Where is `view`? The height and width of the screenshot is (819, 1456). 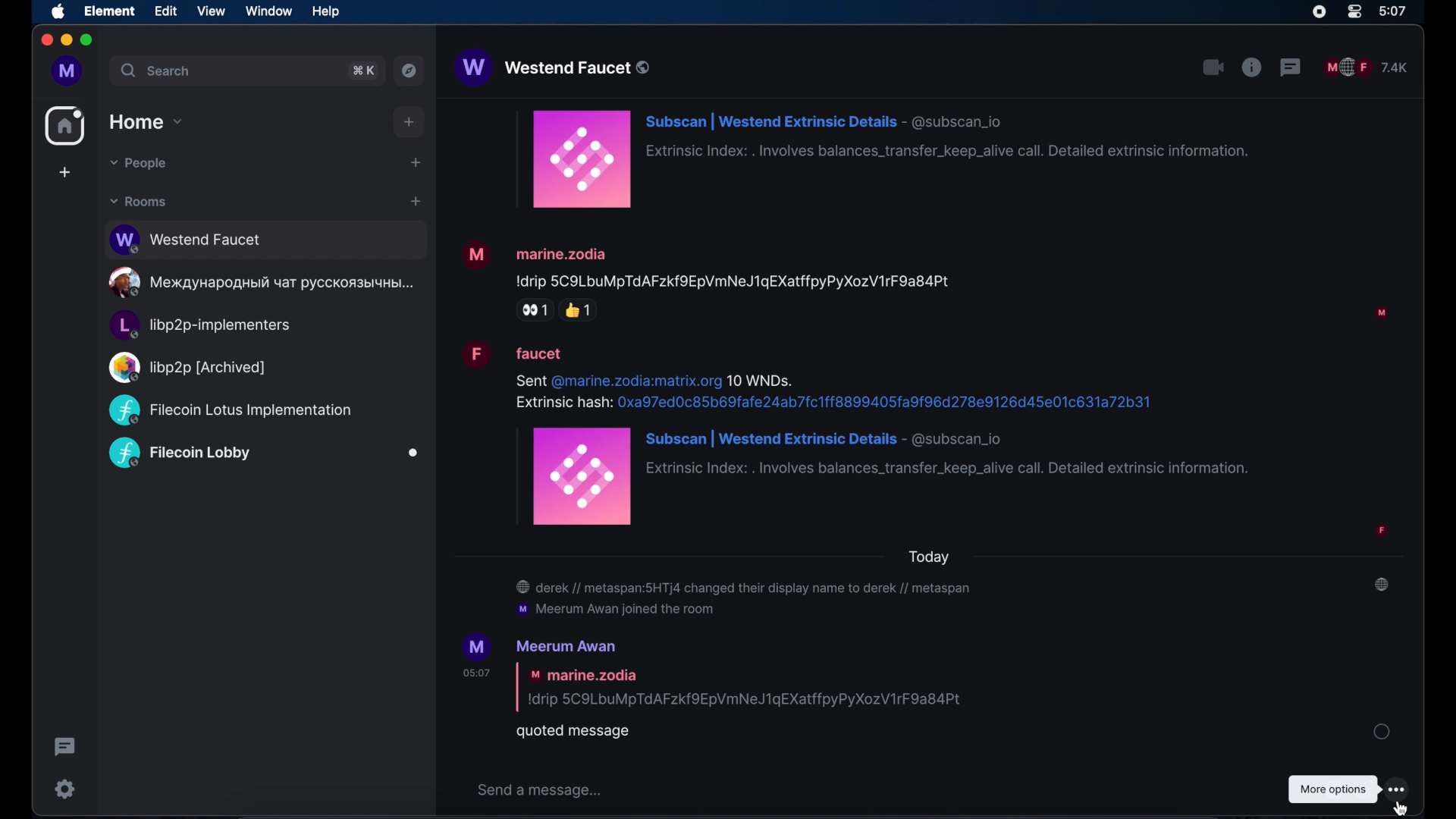
view is located at coordinates (210, 11).